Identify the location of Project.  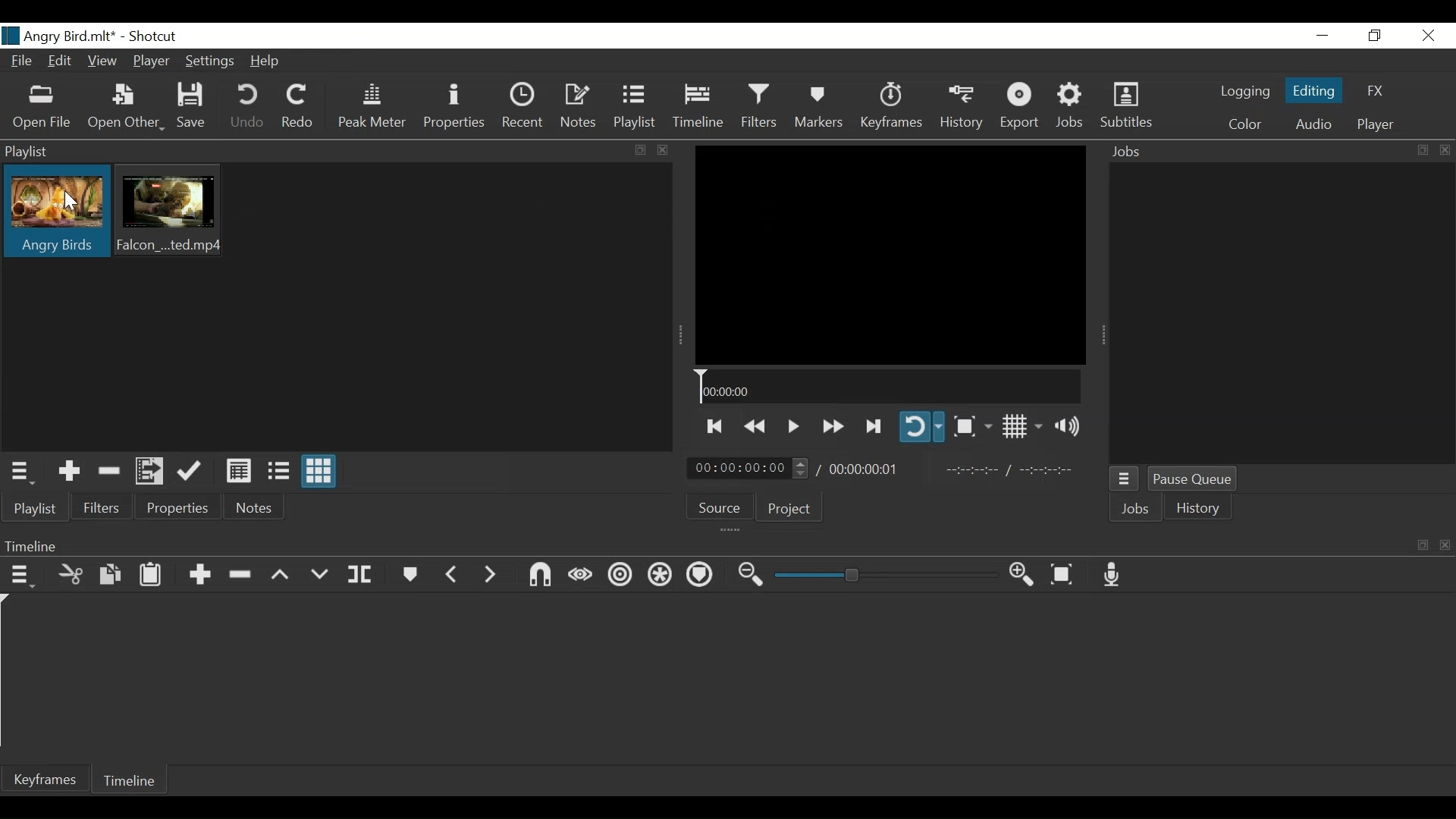
(790, 511).